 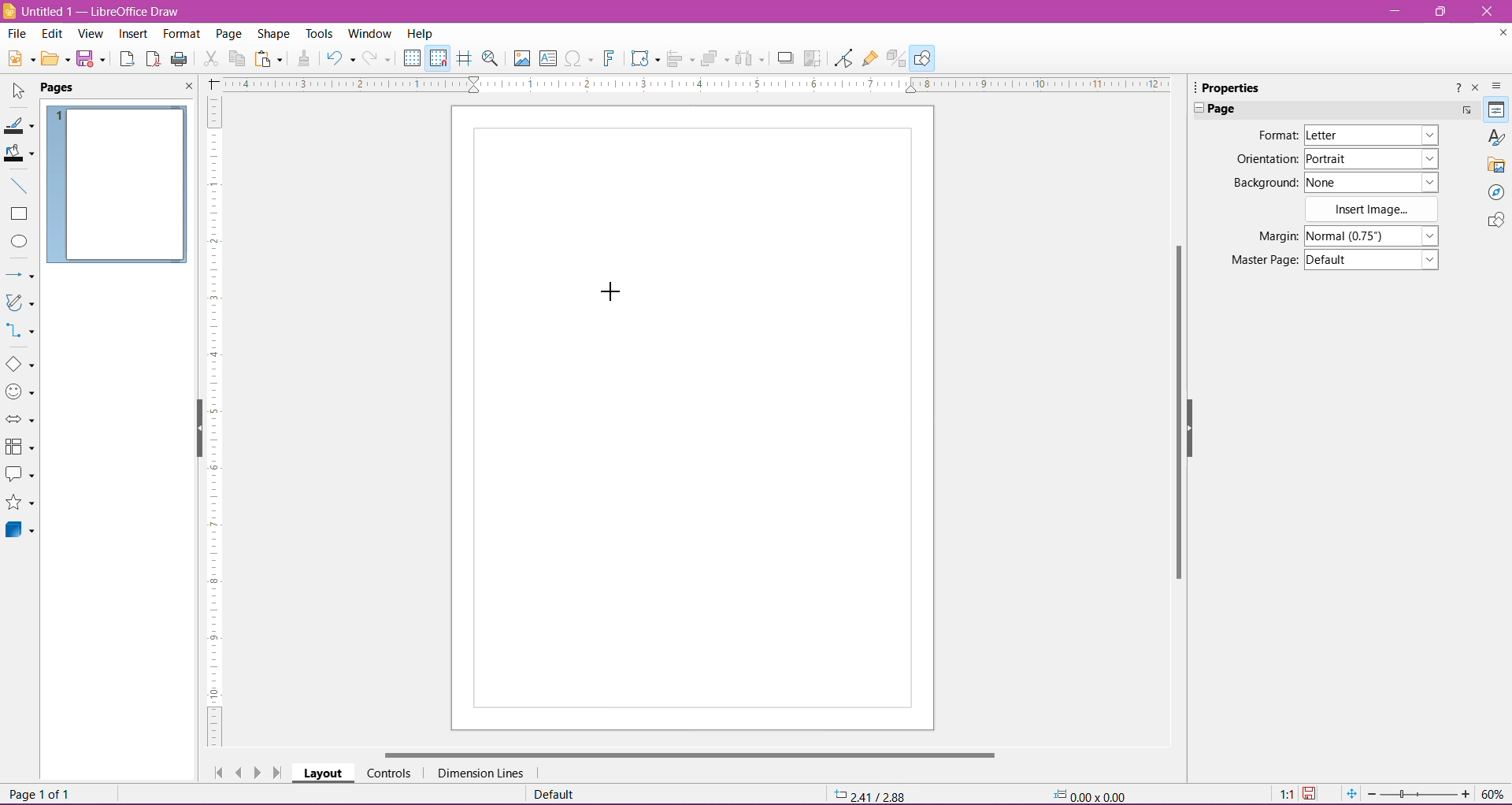 What do you see at coordinates (279, 773) in the screenshot?
I see `Scroll to last page` at bounding box center [279, 773].